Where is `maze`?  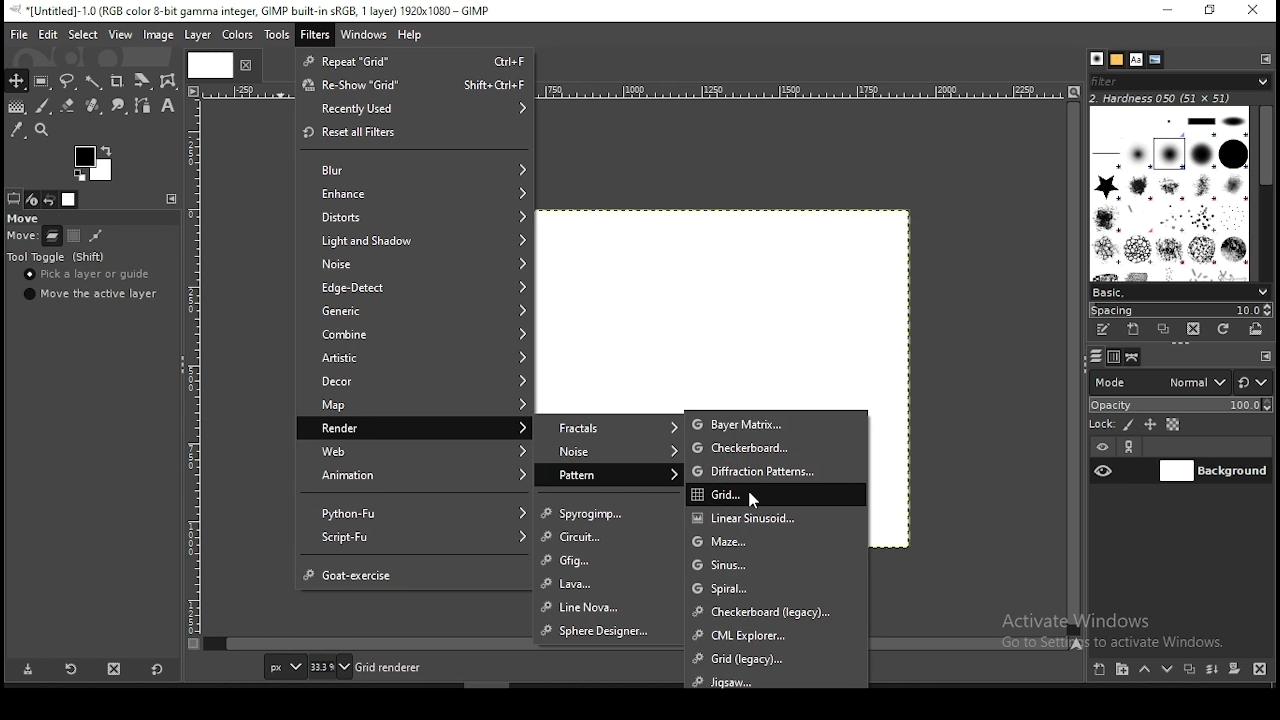
maze is located at coordinates (775, 541).